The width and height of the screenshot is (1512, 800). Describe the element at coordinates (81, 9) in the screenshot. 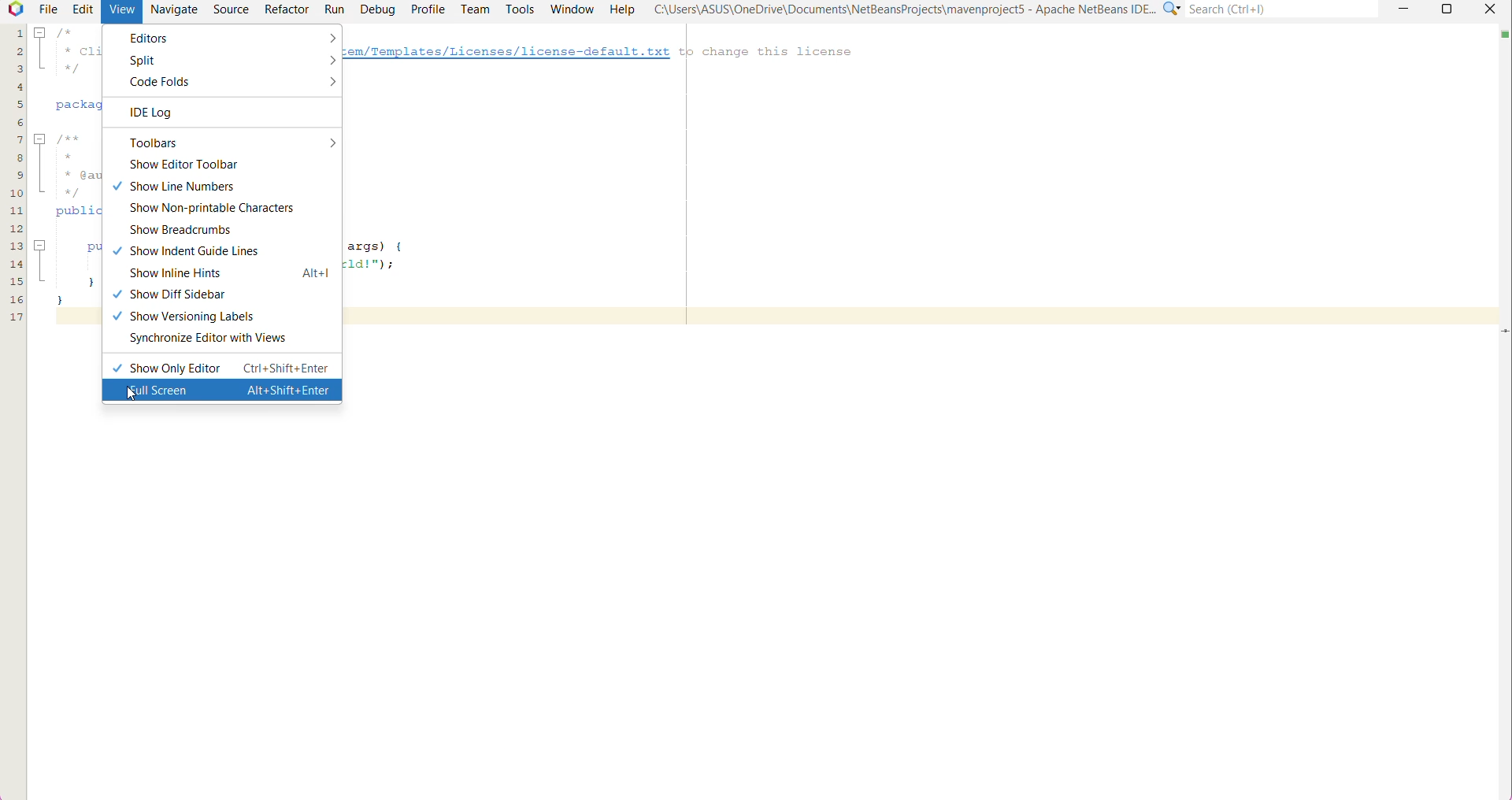

I see `Edit` at that location.